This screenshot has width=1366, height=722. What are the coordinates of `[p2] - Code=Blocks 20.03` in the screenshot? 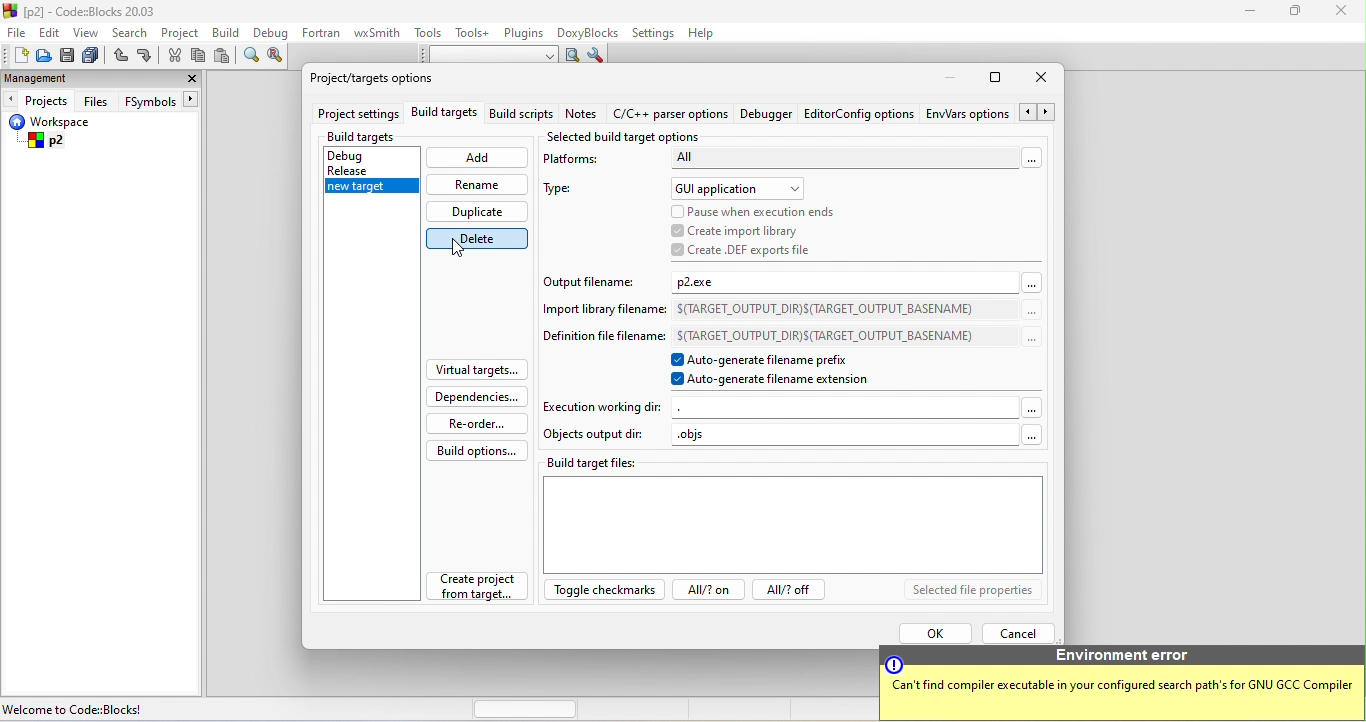 It's located at (88, 12).